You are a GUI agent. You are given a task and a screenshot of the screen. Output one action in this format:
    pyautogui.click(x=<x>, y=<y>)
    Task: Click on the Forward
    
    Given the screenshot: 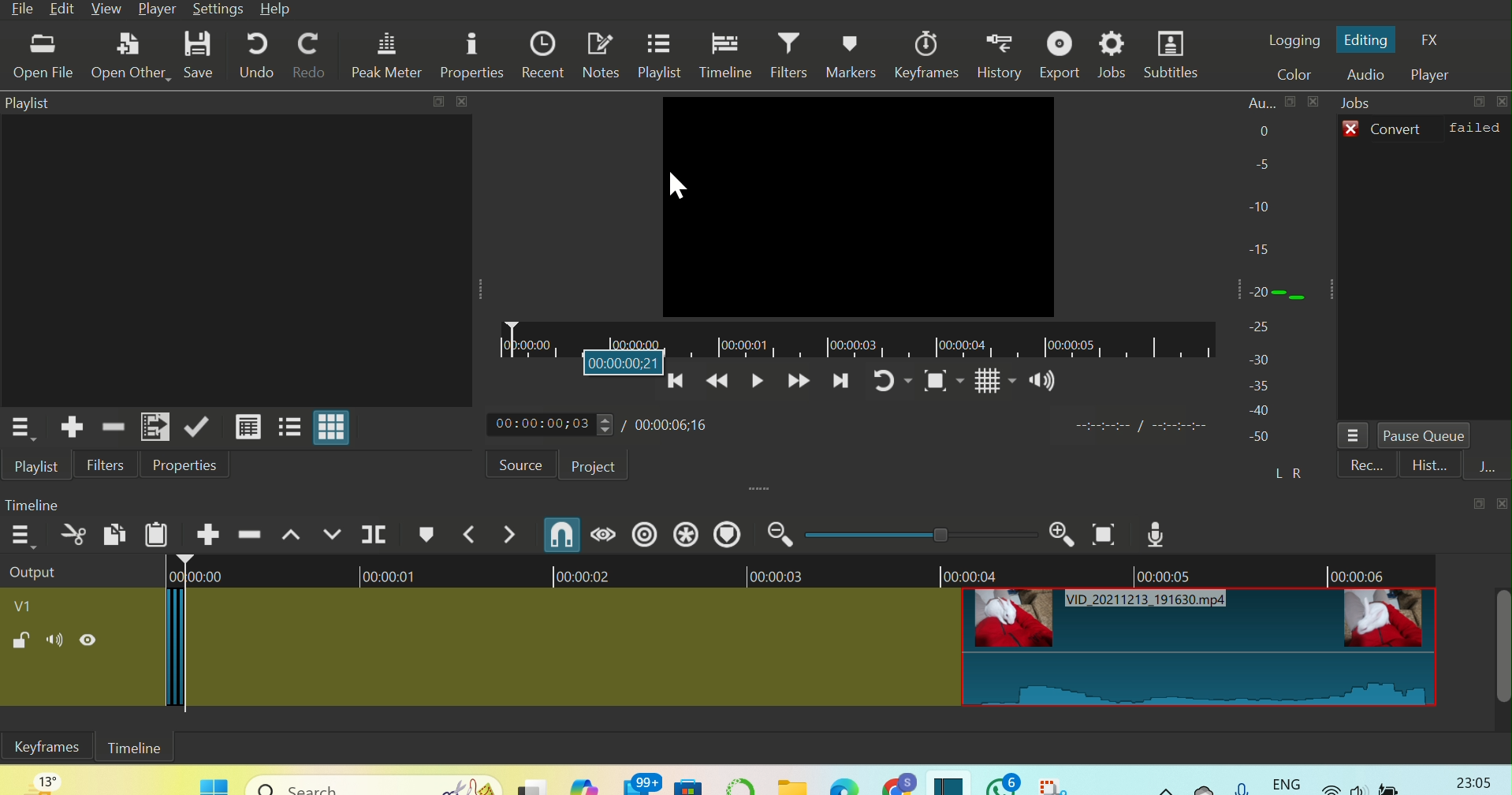 What is the action you would take?
    pyautogui.click(x=796, y=386)
    